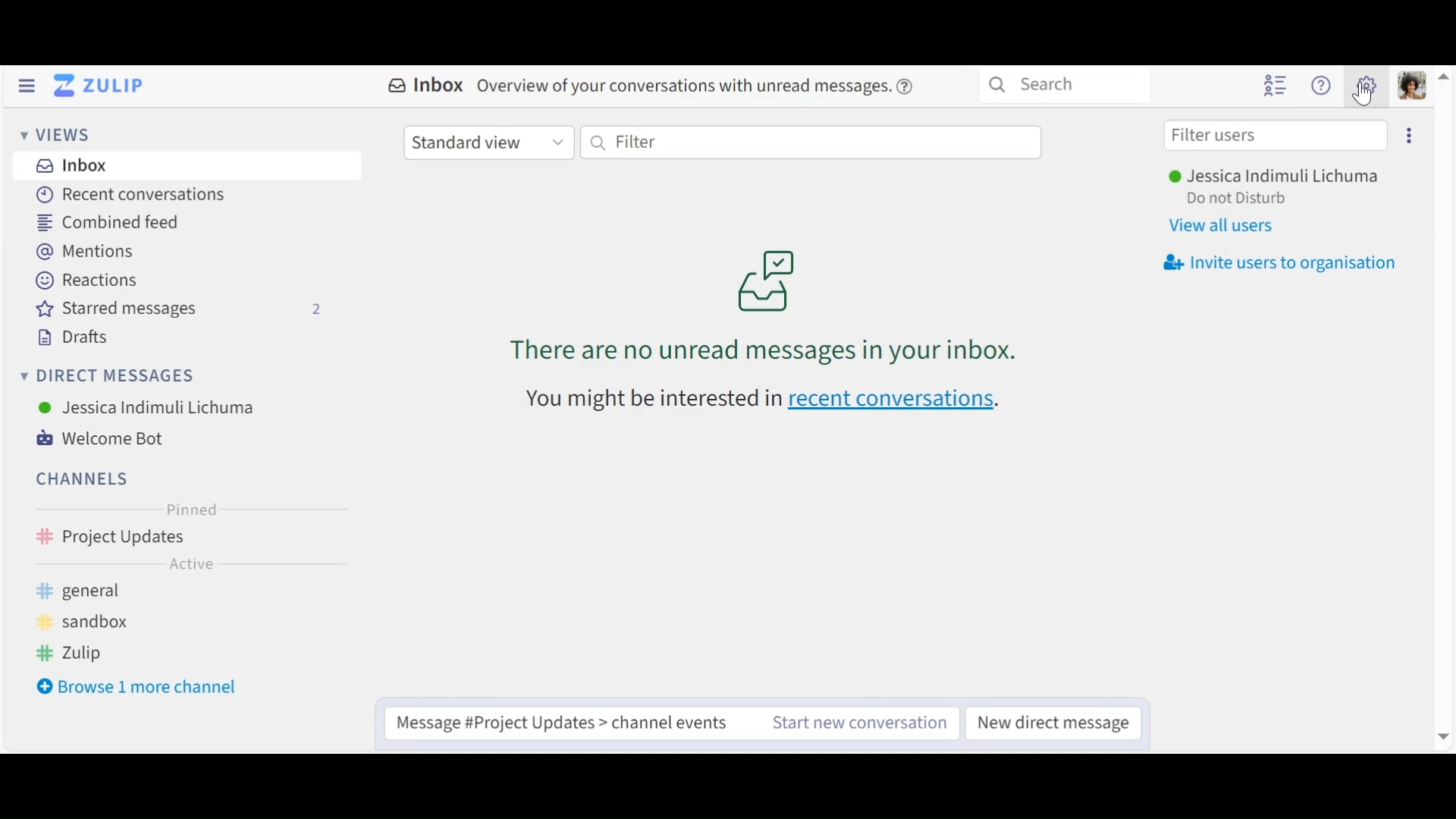 This screenshot has height=819, width=1456. I want to click on Channels, so click(179, 540).